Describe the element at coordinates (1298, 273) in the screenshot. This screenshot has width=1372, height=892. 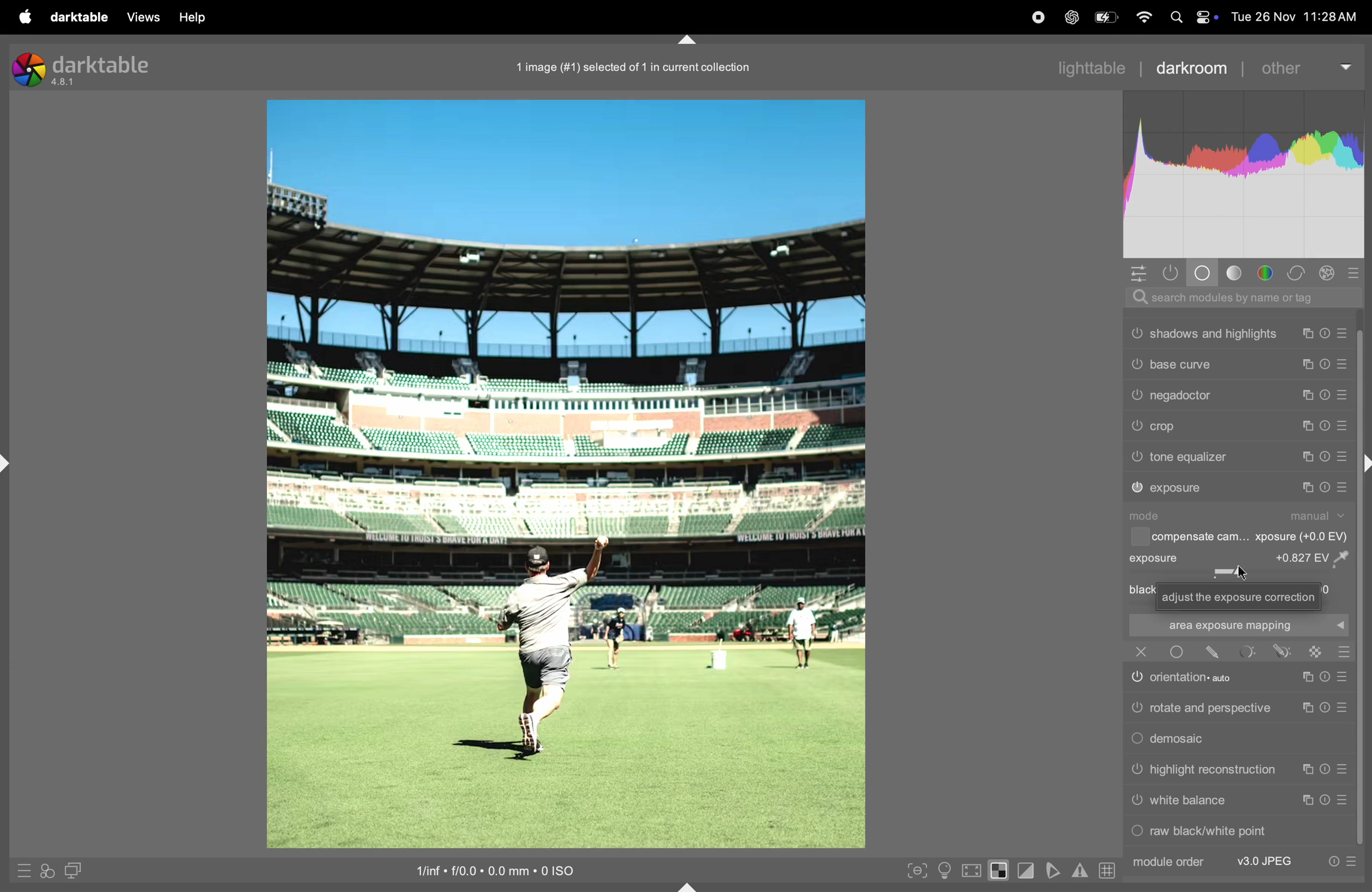
I see `correct` at that location.